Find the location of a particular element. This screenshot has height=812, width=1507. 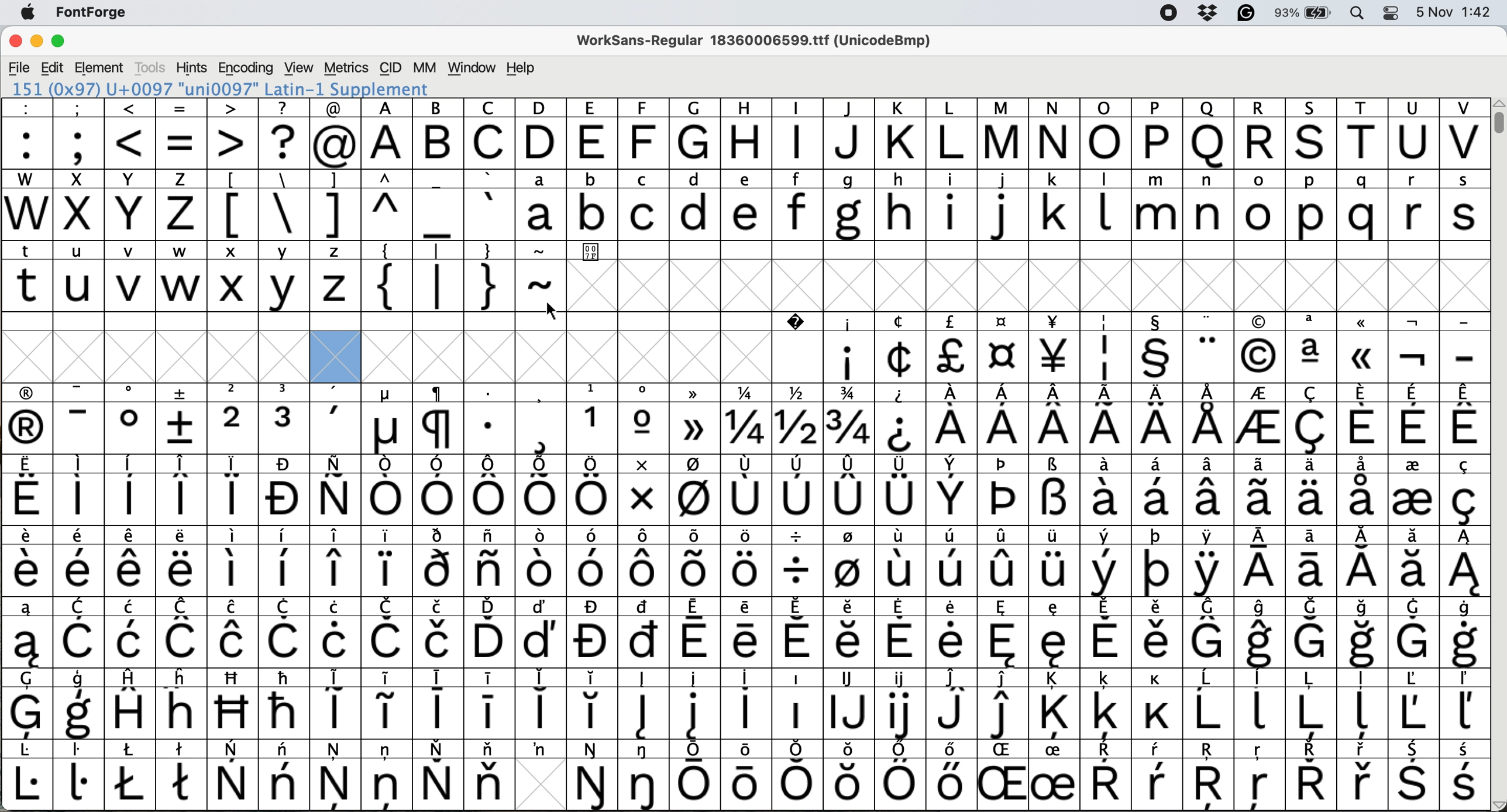

symbol is located at coordinates (642, 490).